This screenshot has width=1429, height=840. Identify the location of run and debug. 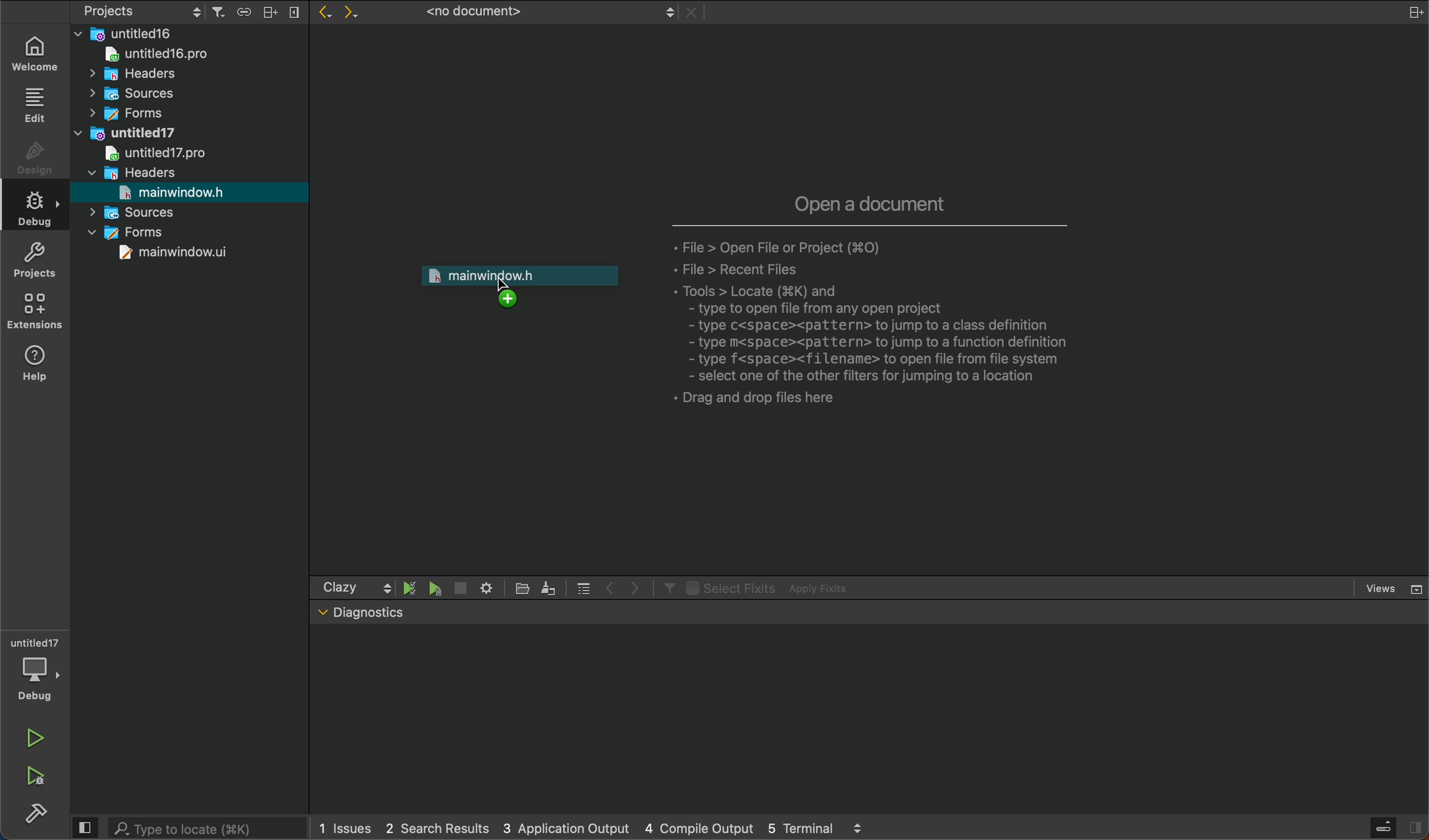
(40, 780).